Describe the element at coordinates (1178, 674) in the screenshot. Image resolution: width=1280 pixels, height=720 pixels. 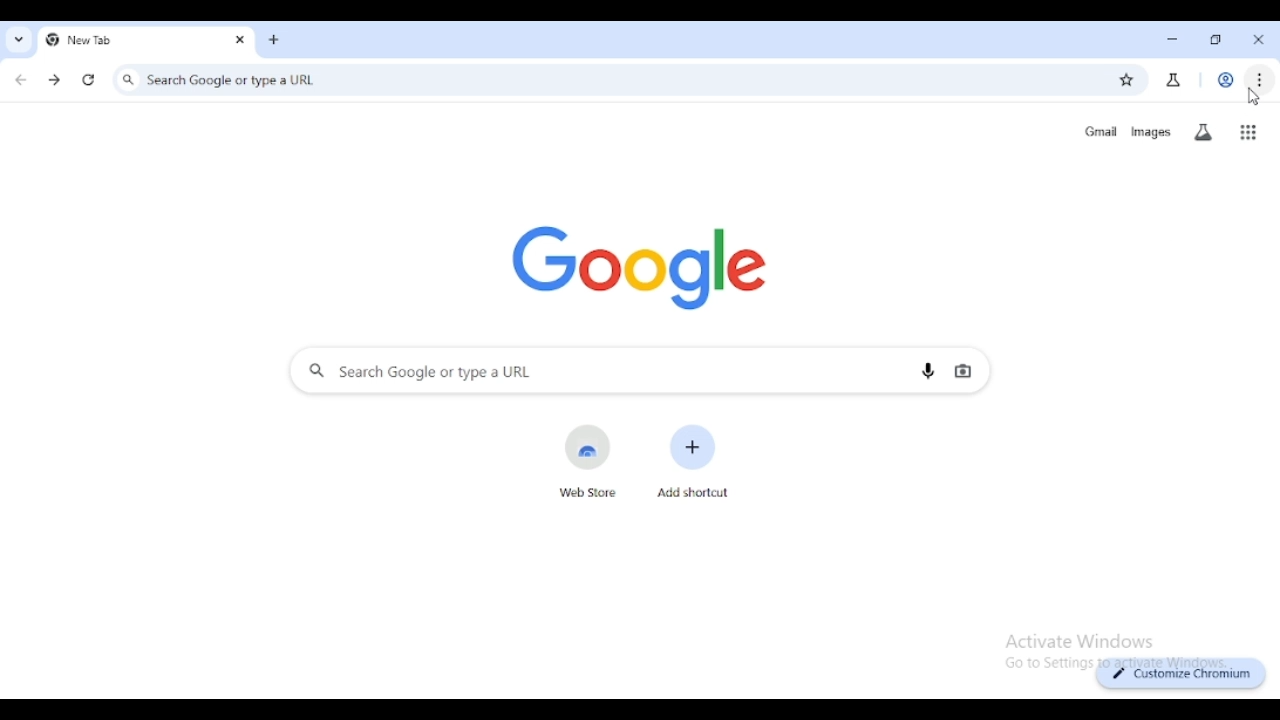
I see `customize chromium` at that location.